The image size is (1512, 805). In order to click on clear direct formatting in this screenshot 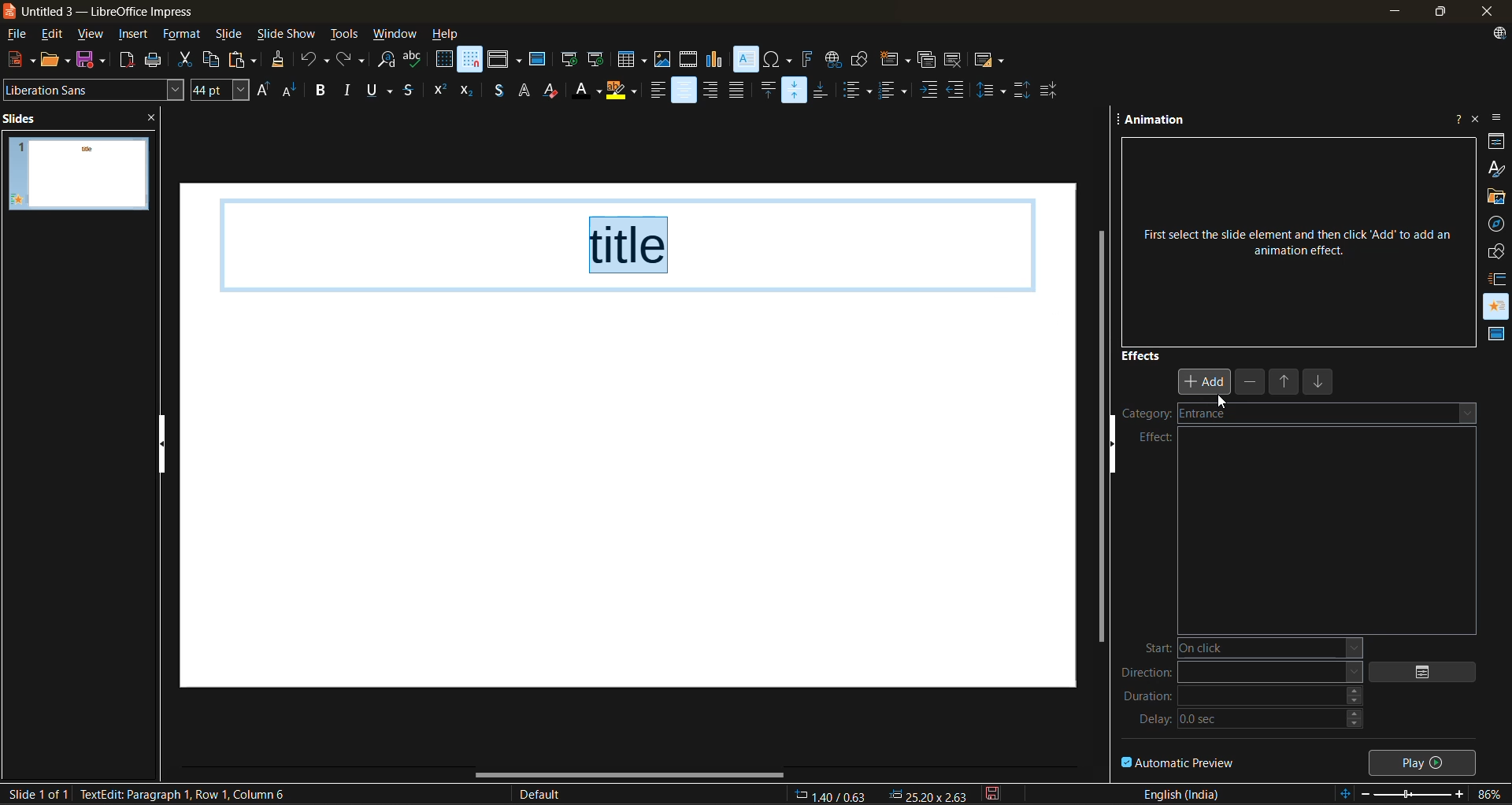, I will do `click(555, 92)`.